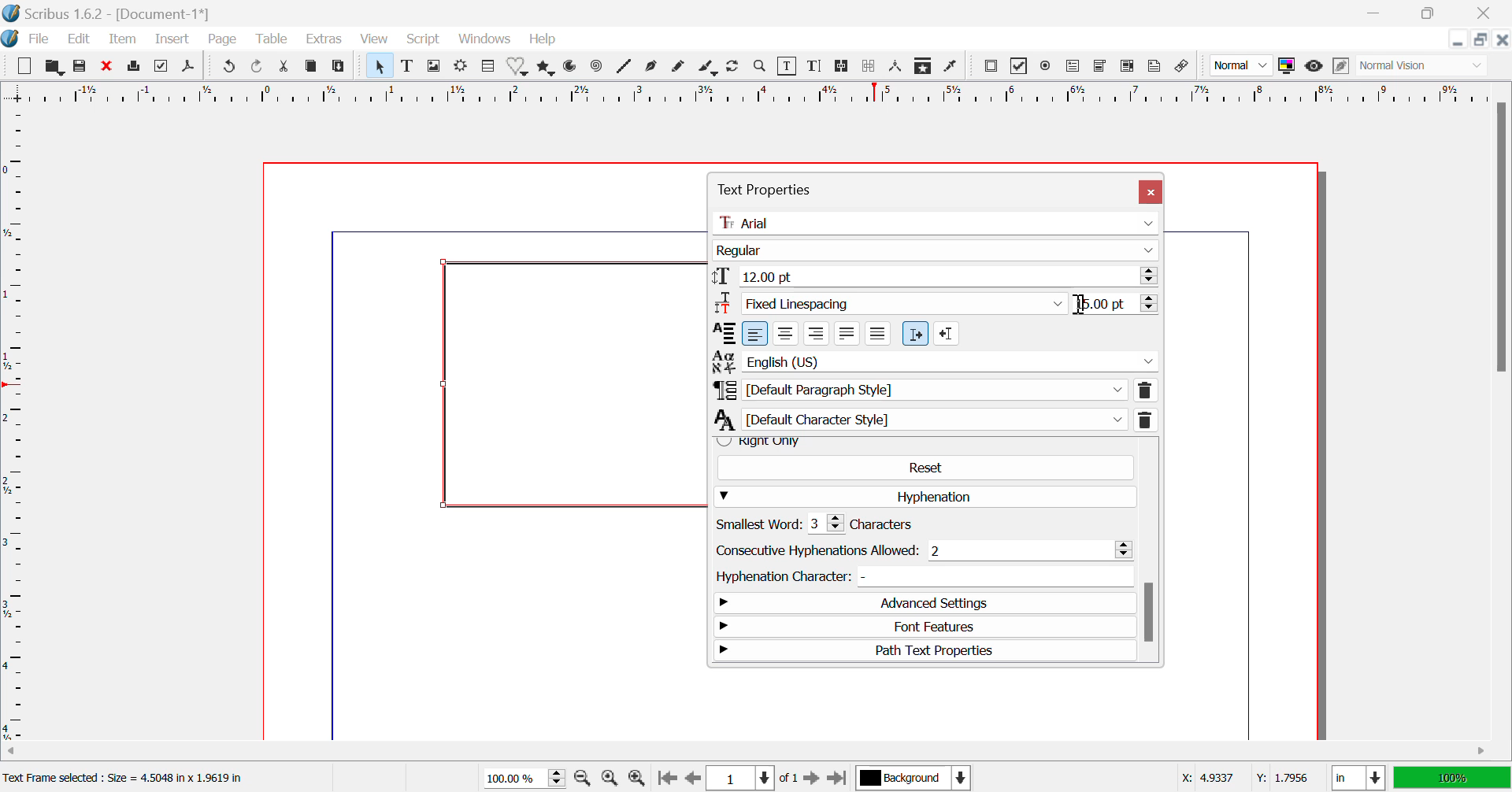 The width and height of the screenshot is (1512, 792). Describe the element at coordinates (1241, 68) in the screenshot. I see `Normal` at that location.